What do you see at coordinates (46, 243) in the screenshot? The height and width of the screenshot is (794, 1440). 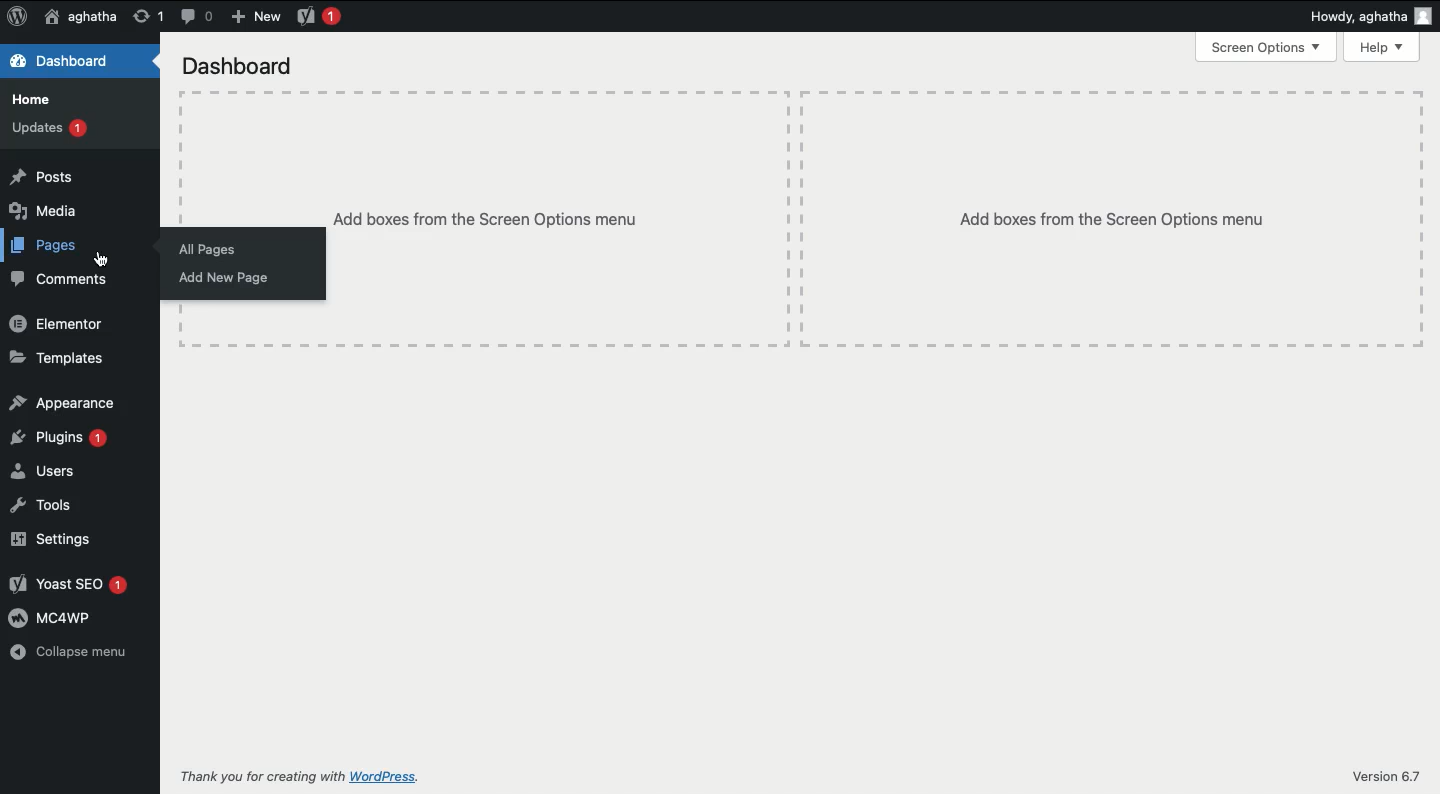 I see `Pages` at bounding box center [46, 243].